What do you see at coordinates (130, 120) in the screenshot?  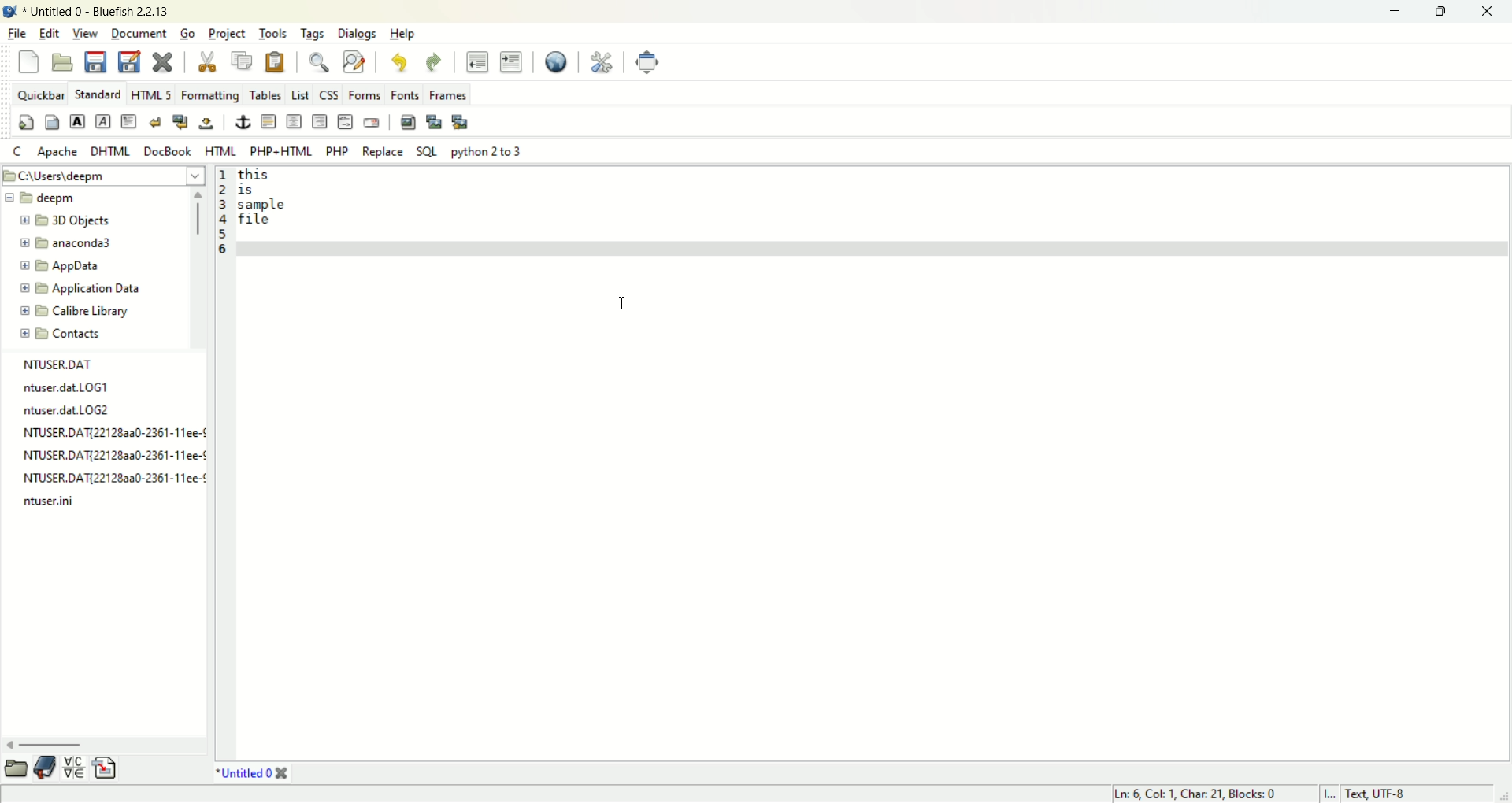 I see `paragraph` at bounding box center [130, 120].